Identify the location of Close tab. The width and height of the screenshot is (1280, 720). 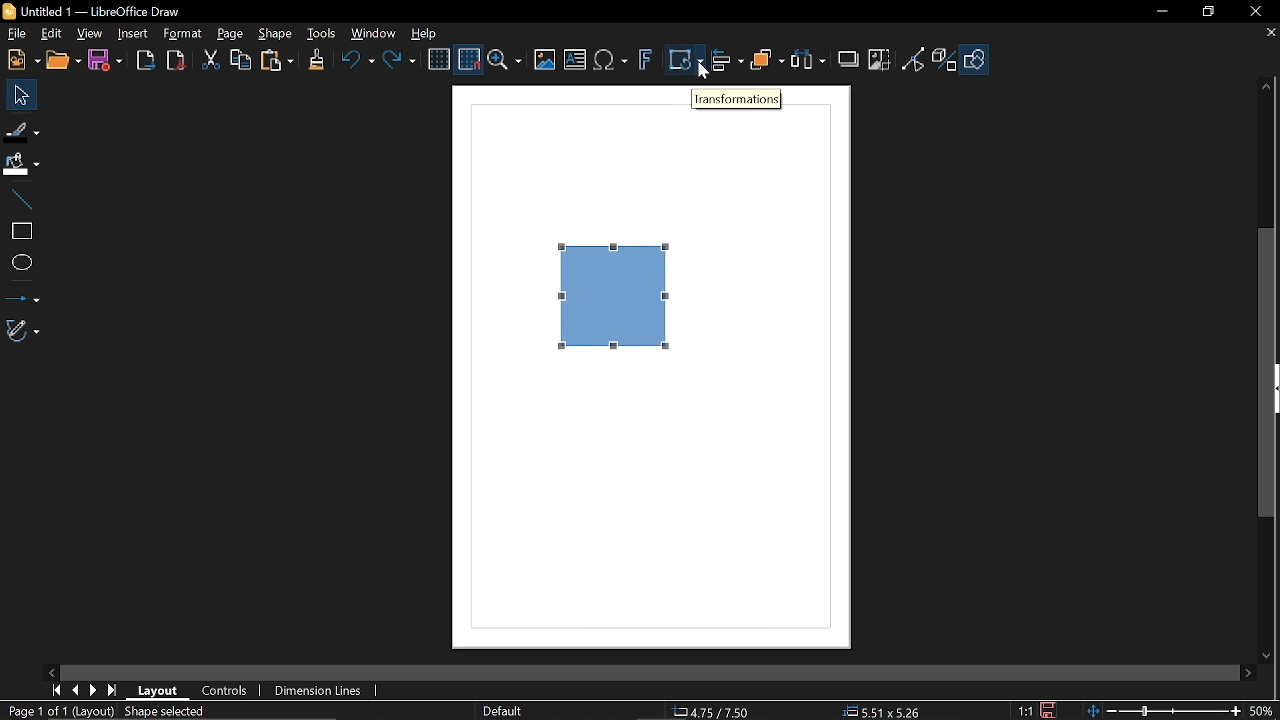
(1272, 33).